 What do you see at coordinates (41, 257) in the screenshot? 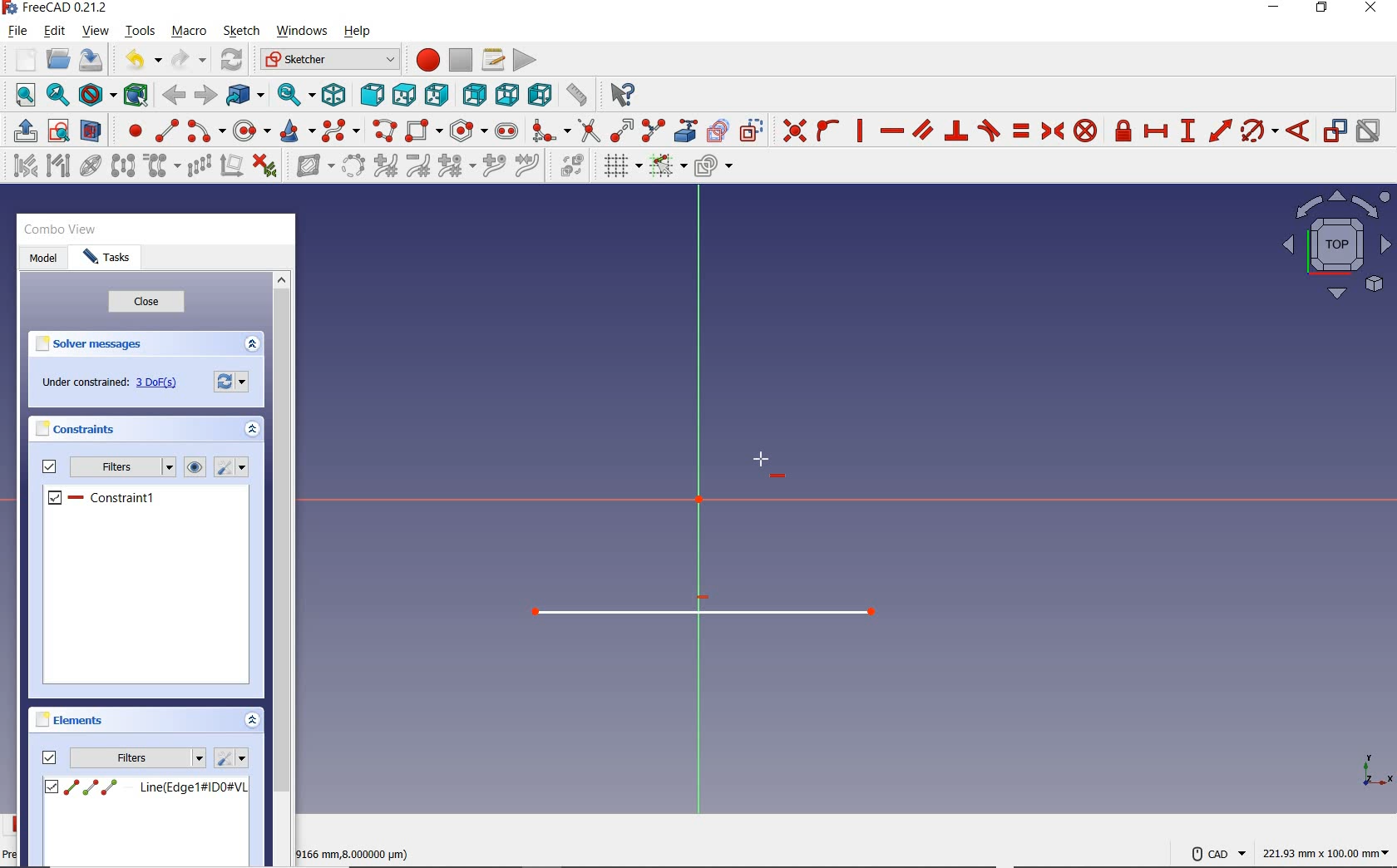
I see `MODEL` at bounding box center [41, 257].